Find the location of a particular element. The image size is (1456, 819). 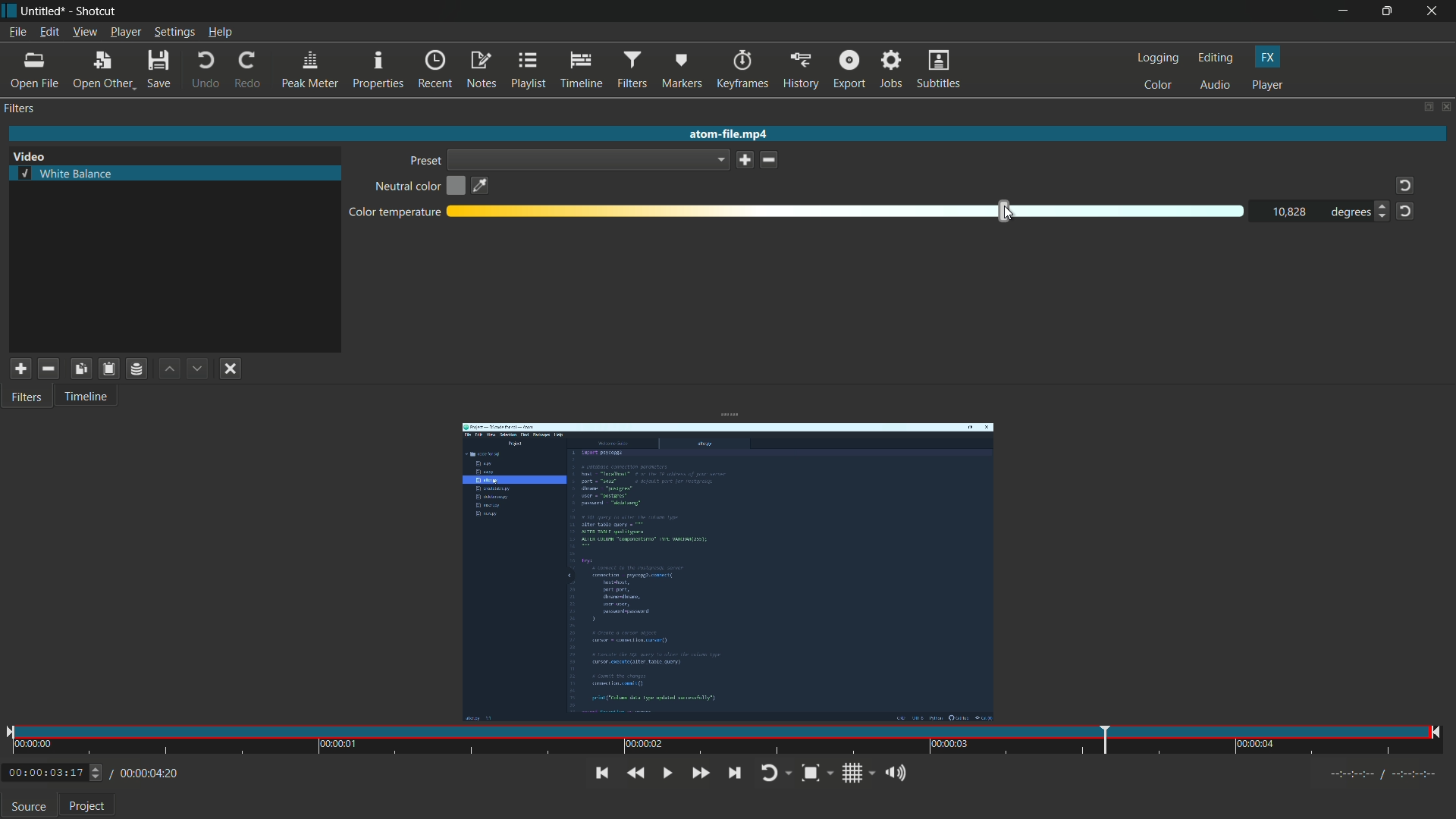

adjustment bar is located at coordinates (847, 212).